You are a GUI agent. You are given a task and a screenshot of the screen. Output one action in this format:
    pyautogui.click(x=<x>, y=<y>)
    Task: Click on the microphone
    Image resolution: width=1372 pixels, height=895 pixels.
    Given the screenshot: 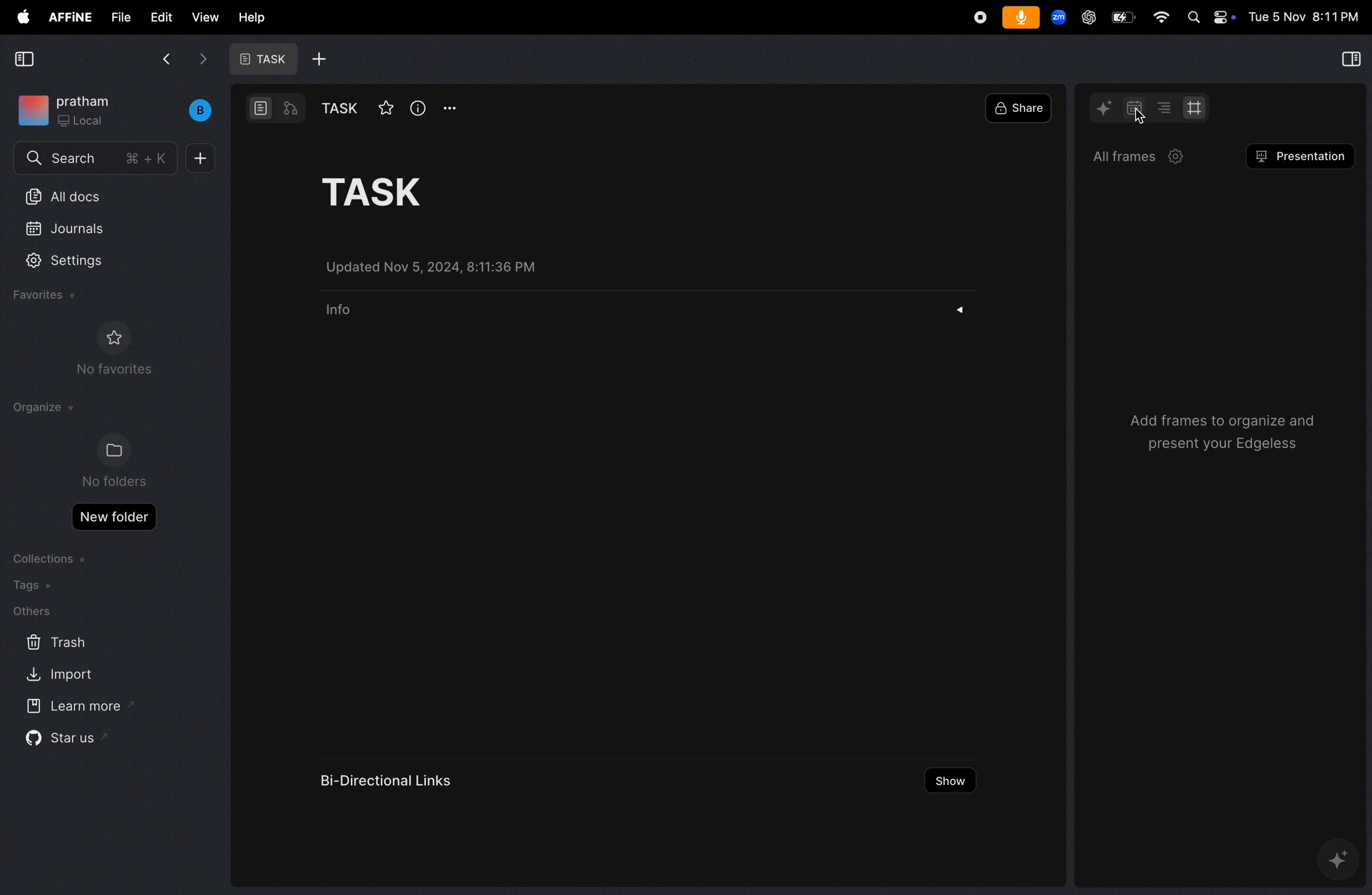 What is the action you would take?
    pyautogui.click(x=1020, y=18)
    